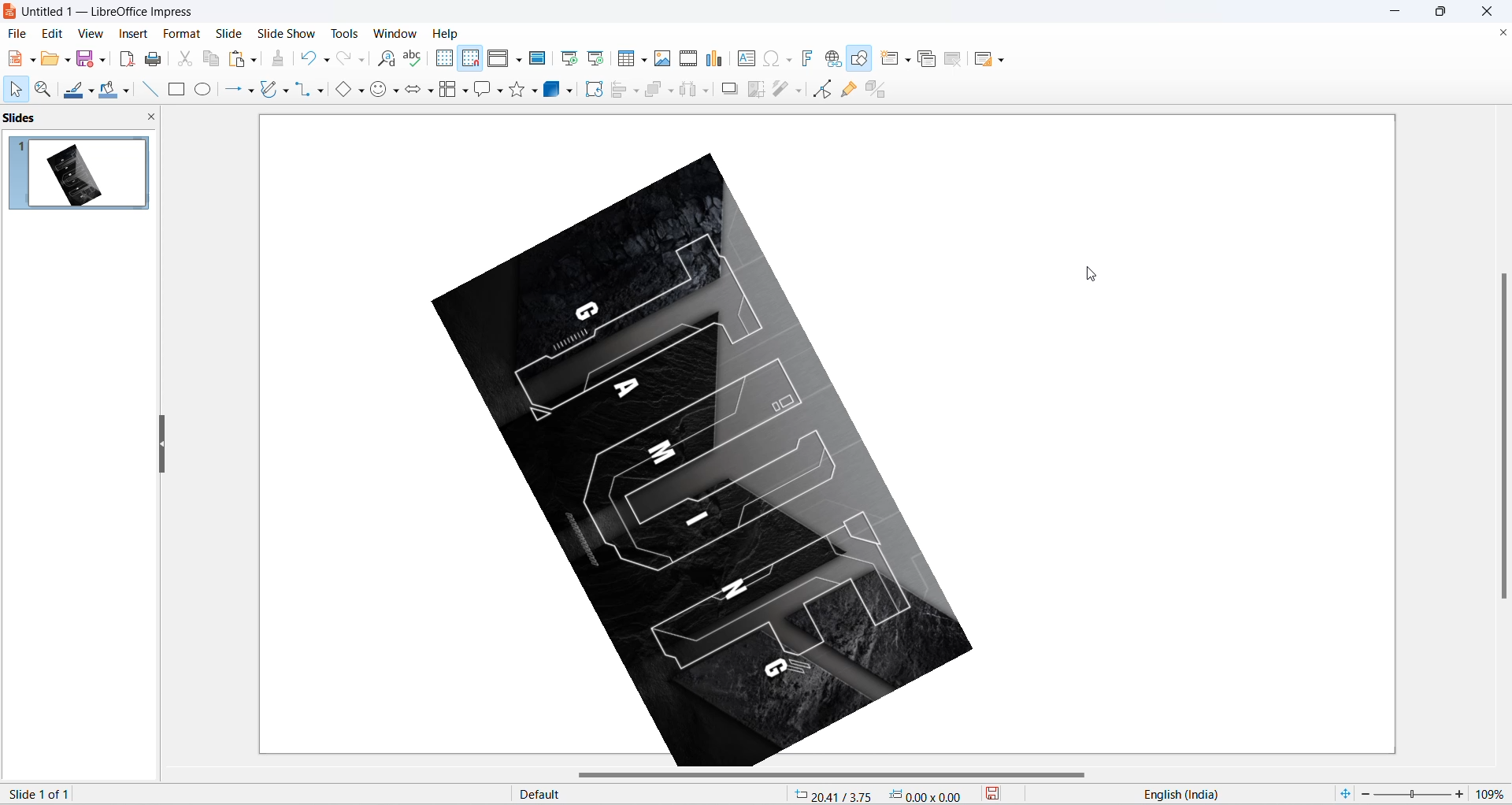 This screenshot has width=1512, height=805. I want to click on delete slide, so click(954, 61).